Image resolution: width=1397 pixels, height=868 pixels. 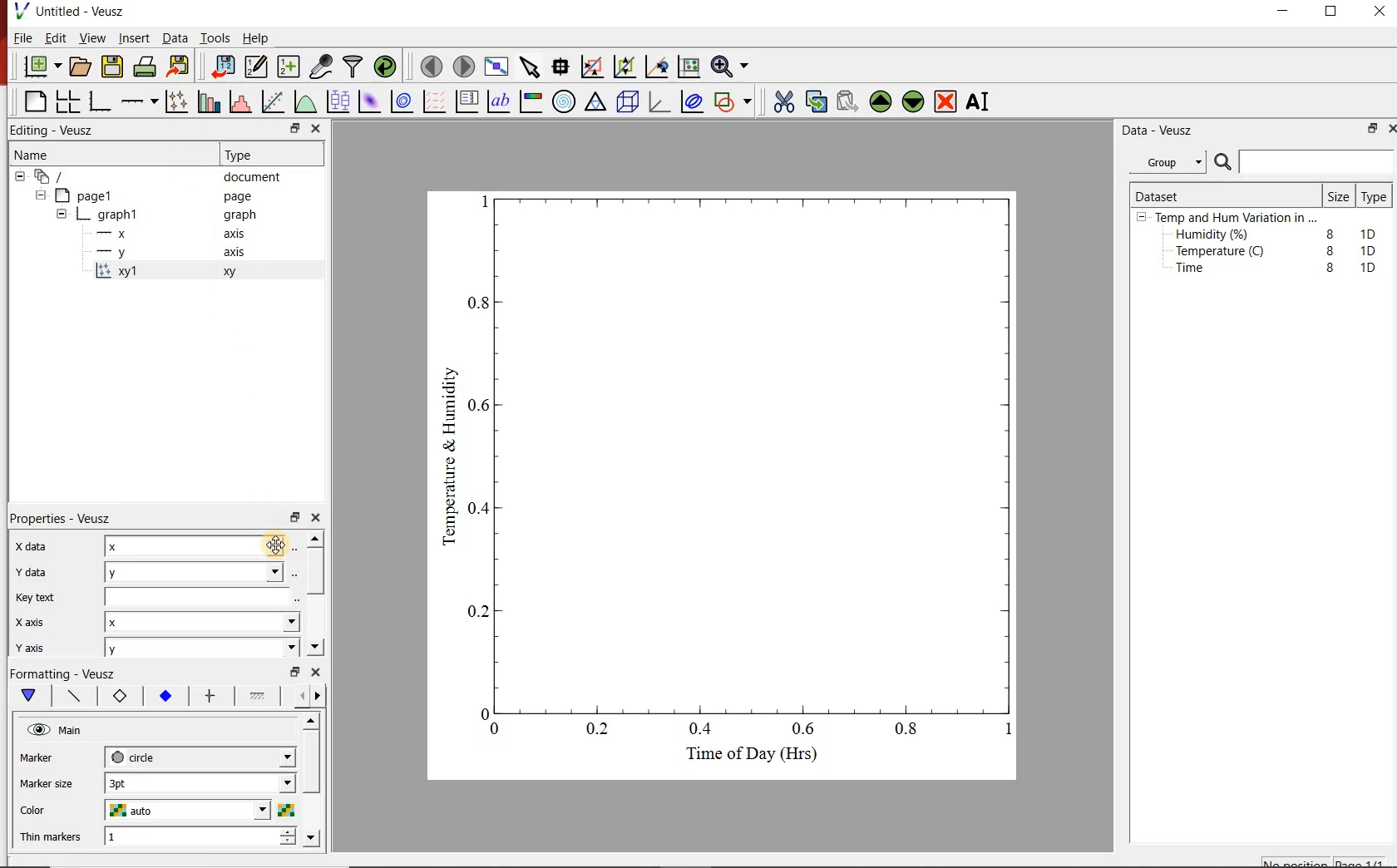 I want to click on Marker, so click(x=49, y=759).